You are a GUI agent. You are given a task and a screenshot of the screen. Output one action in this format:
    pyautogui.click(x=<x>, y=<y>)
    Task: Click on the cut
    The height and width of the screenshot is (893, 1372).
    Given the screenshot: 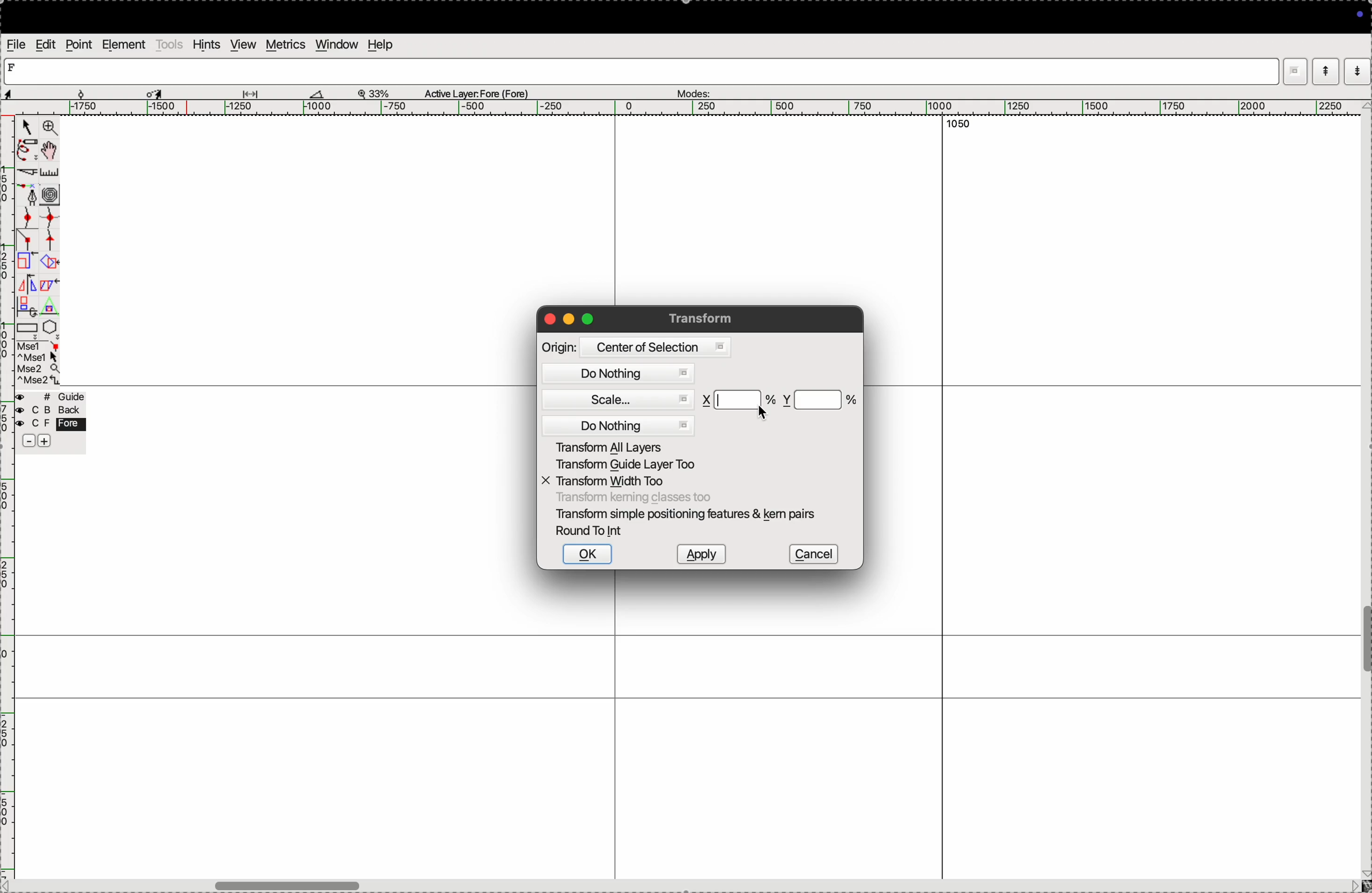 What is the action you would take?
    pyautogui.click(x=28, y=174)
    